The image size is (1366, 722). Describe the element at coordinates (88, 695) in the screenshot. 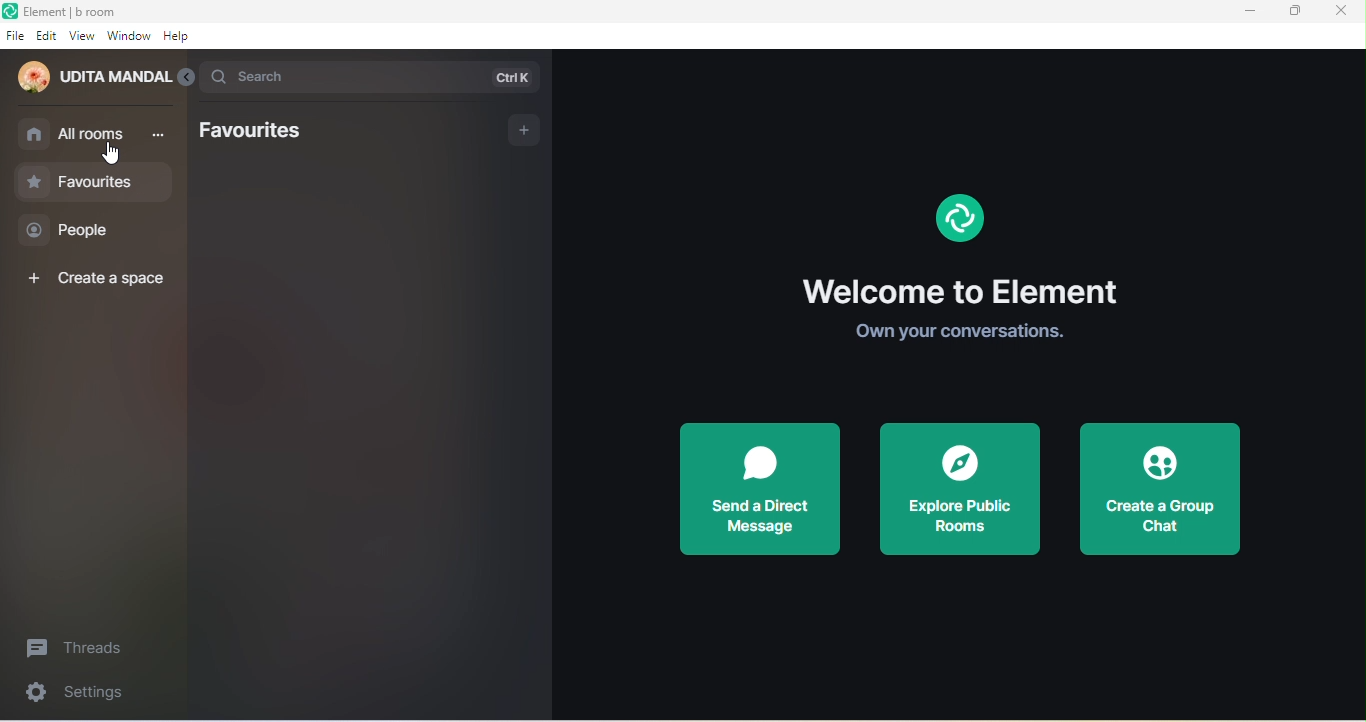

I see `seetings` at that location.